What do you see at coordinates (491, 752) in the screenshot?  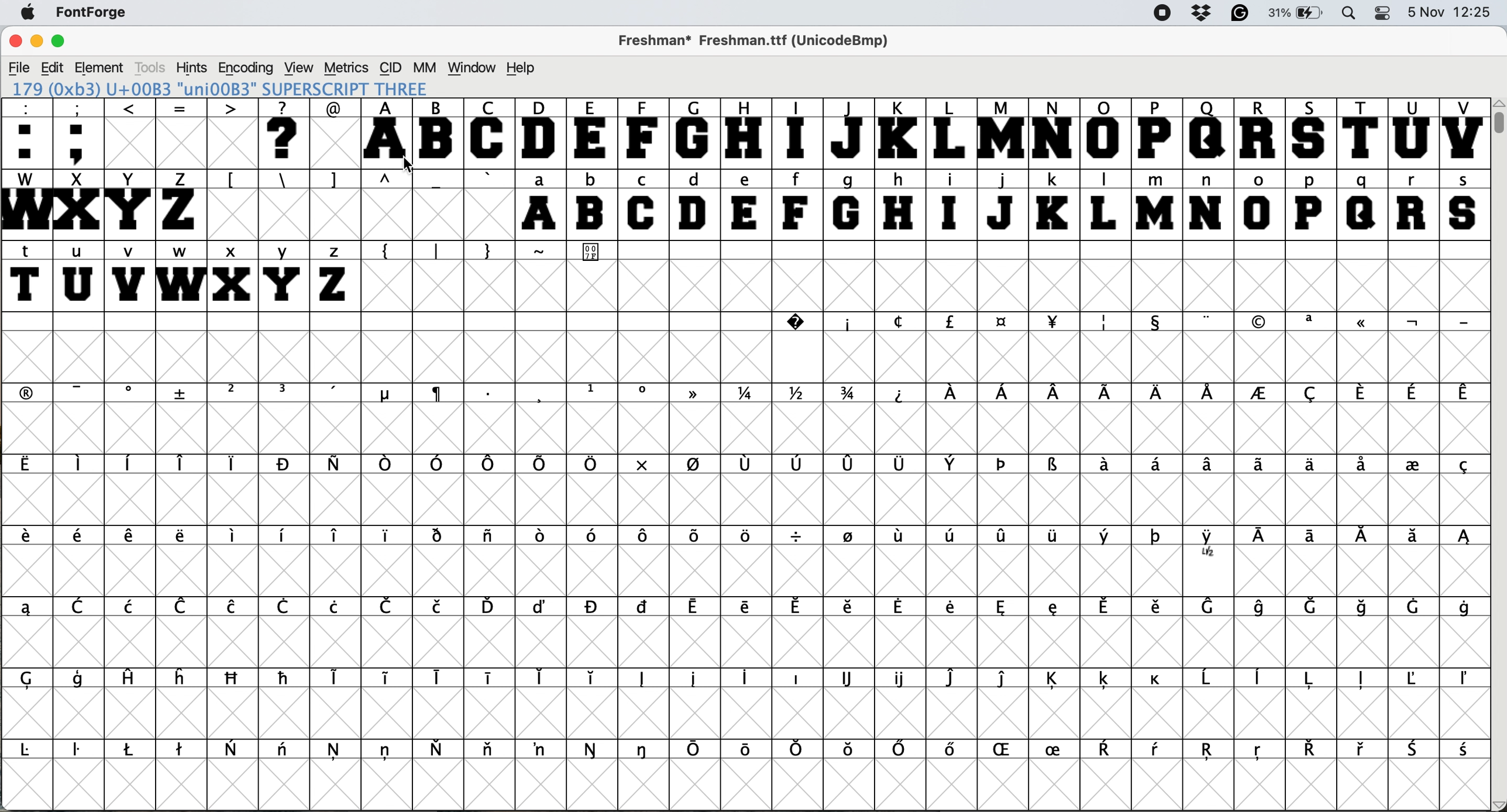 I see `symbol` at bounding box center [491, 752].